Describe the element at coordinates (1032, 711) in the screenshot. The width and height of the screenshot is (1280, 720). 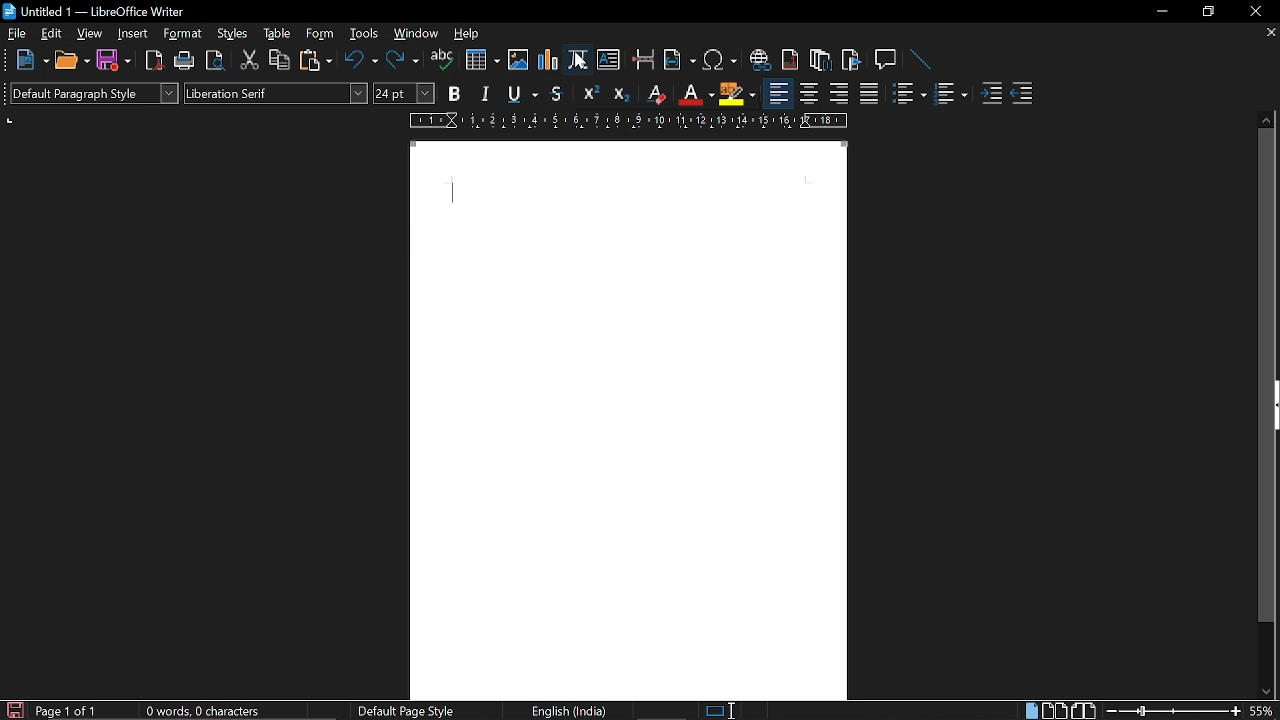
I see `single page view` at that location.